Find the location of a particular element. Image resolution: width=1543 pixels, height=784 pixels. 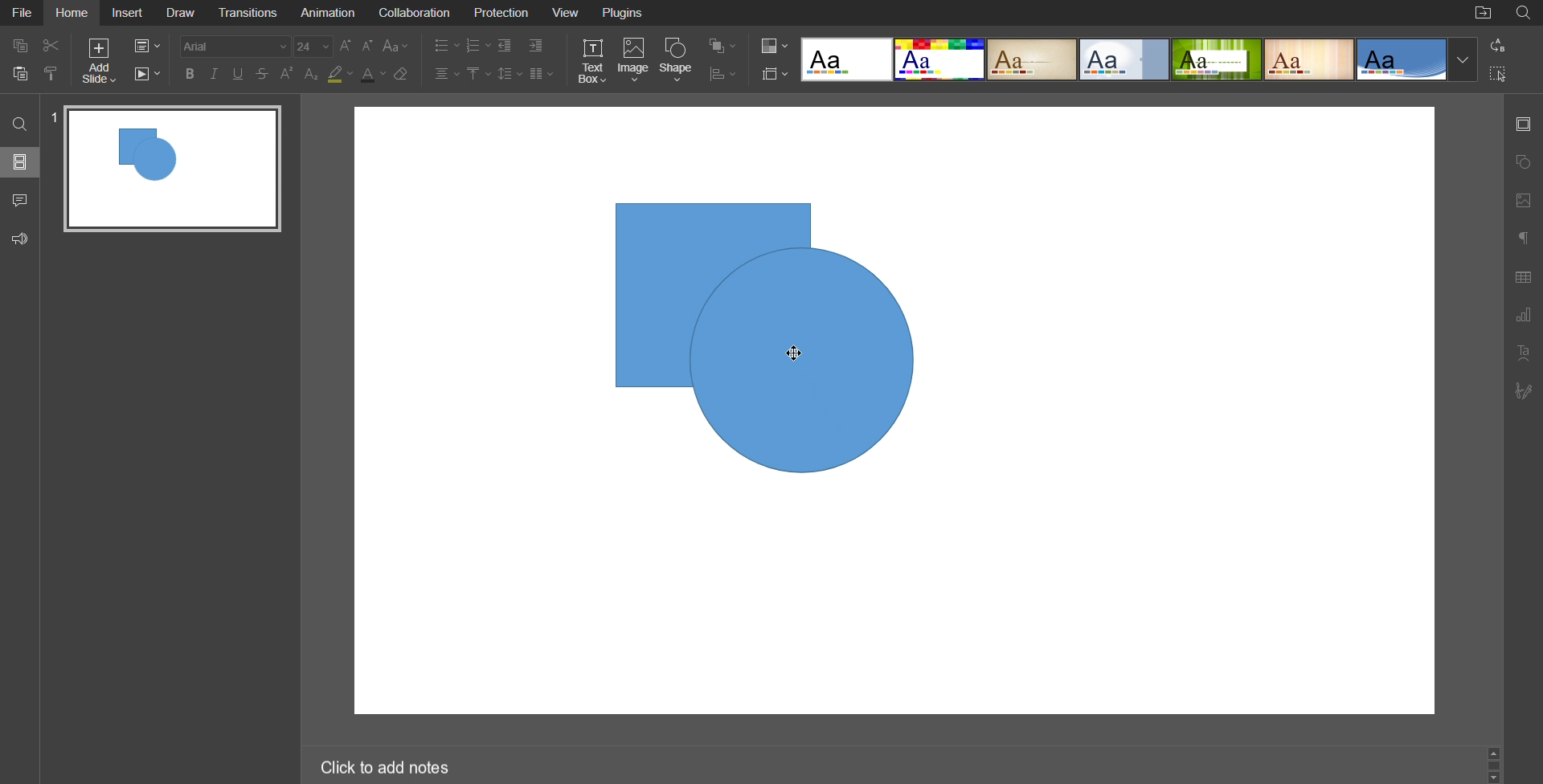

Highlight Color is located at coordinates (341, 73).